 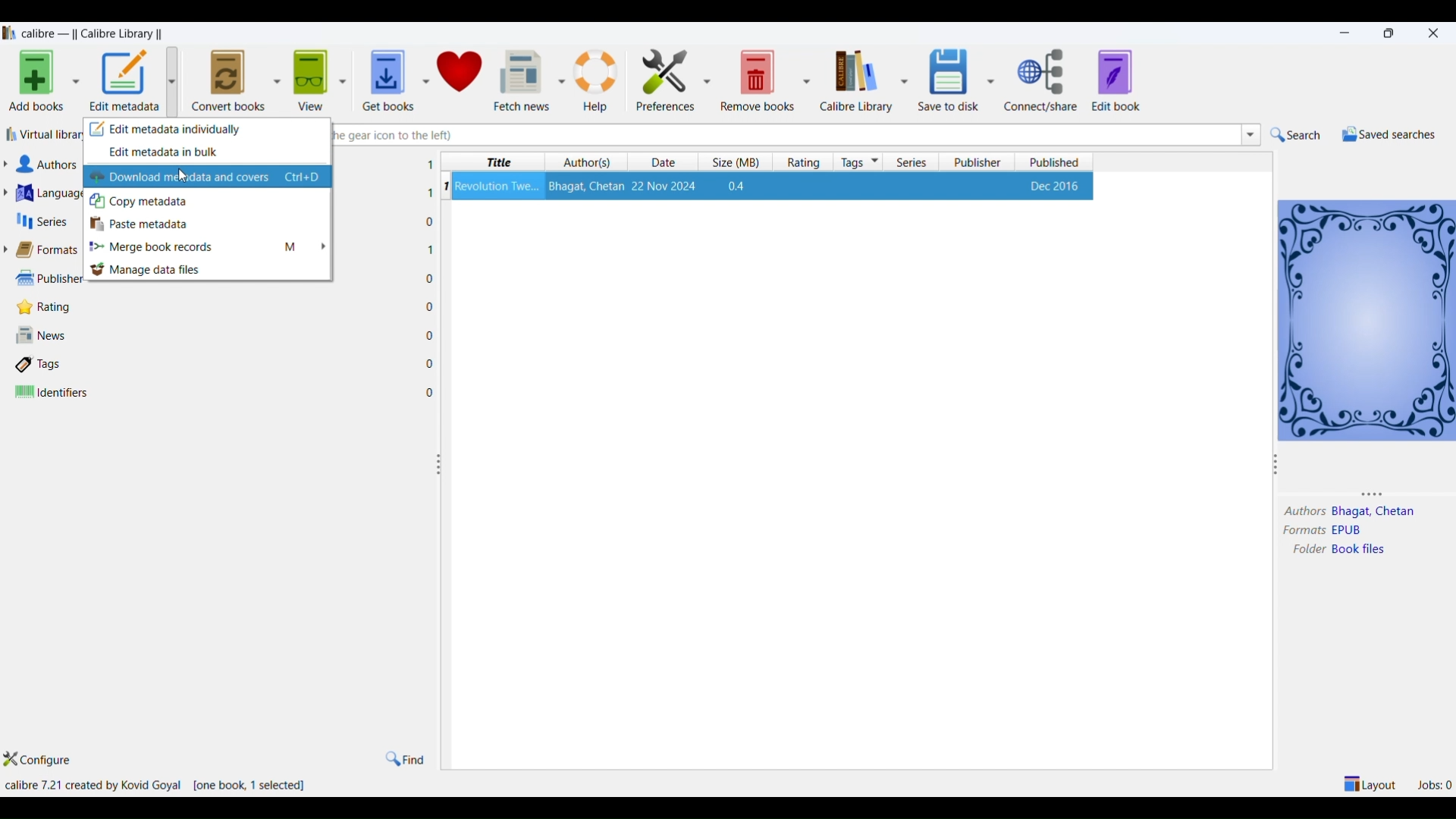 What do you see at coordinates (95, 786) in the screenshot?
I see `calibre version and creator` at bounding box center [95, 786].